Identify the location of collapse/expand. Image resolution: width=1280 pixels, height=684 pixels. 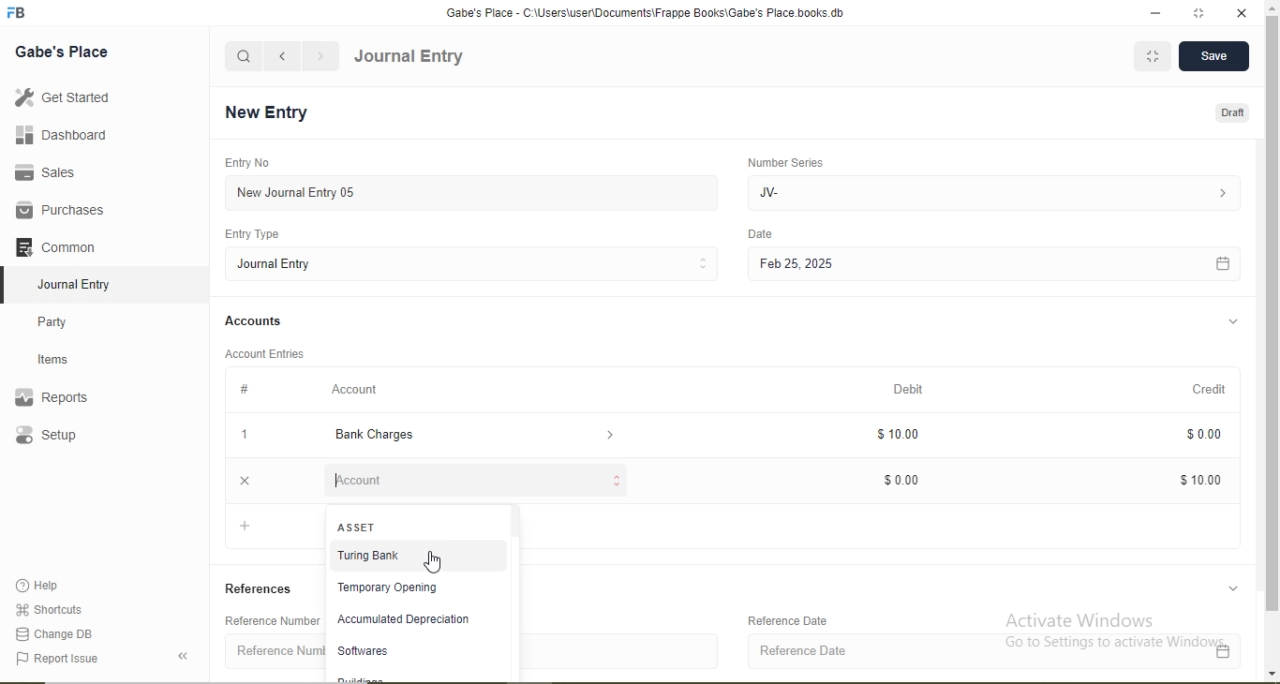
(1237, 587).